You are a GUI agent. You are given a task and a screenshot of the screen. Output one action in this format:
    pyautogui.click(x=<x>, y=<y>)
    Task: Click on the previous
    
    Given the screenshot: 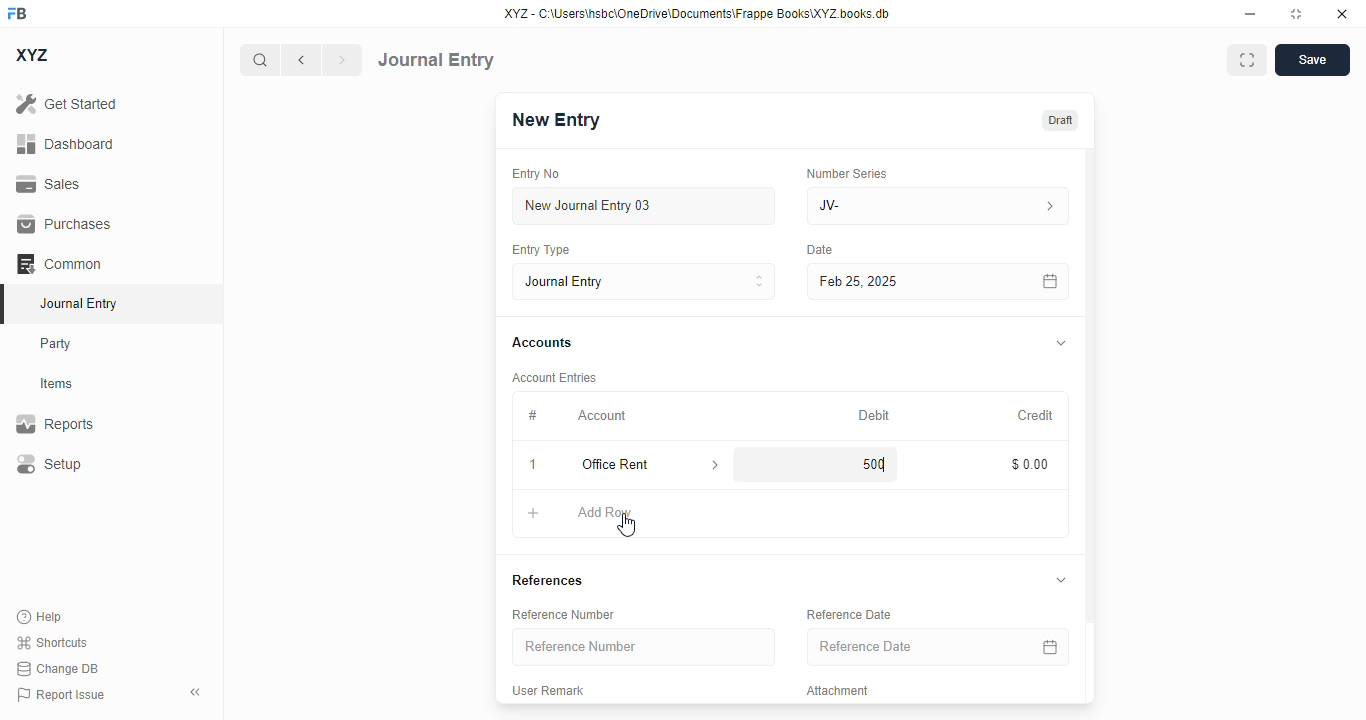 What is the action you would take?
    pyautogui.click(x=301, y=60)
    